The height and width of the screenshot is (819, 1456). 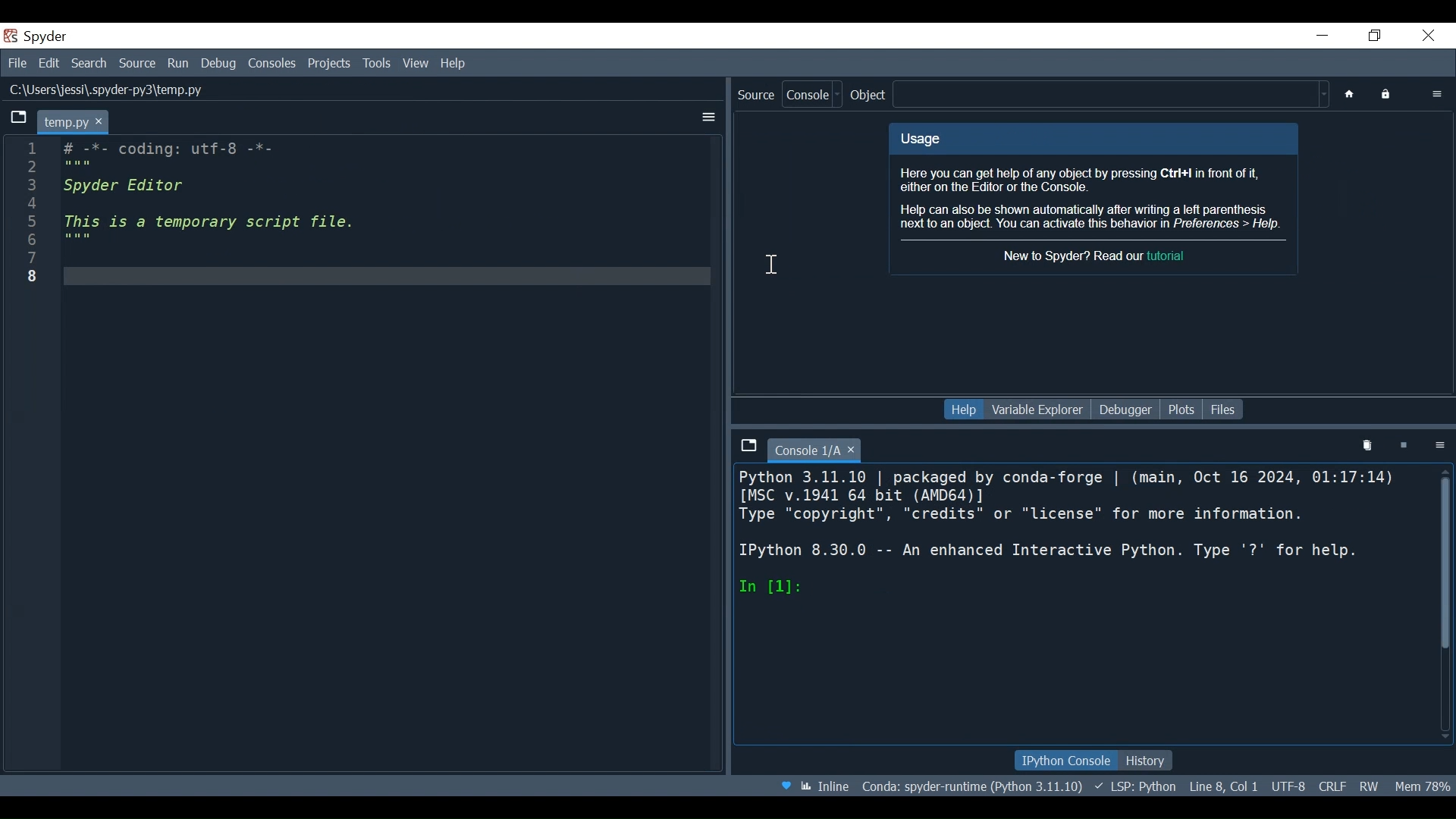 I want to click on Lock, so click(x=1385, y=93).